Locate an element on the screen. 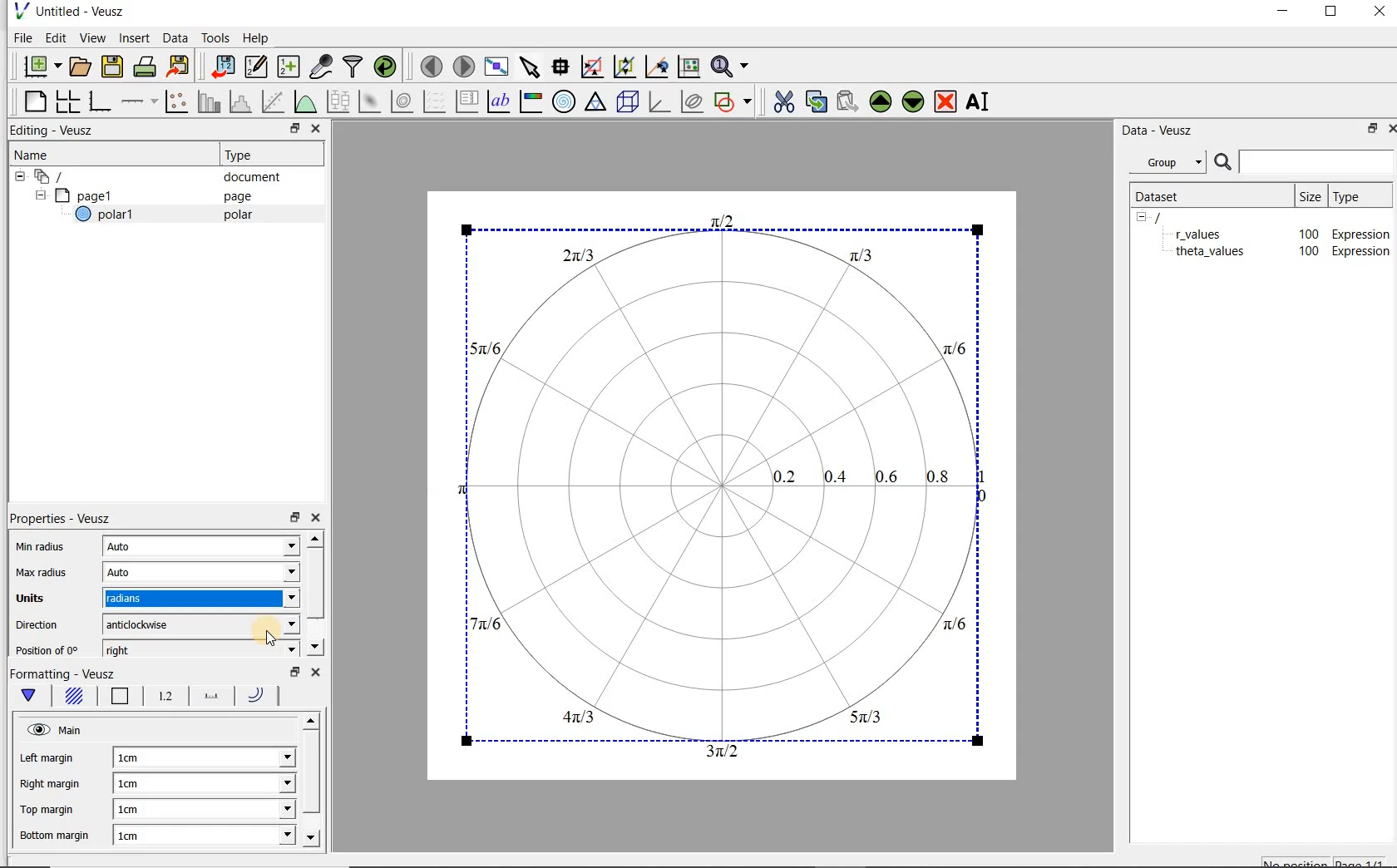 The width and height of the screenshot is (1397, 868). Visible (click to hide, set hide to true) is located at coordinates (37, 726).